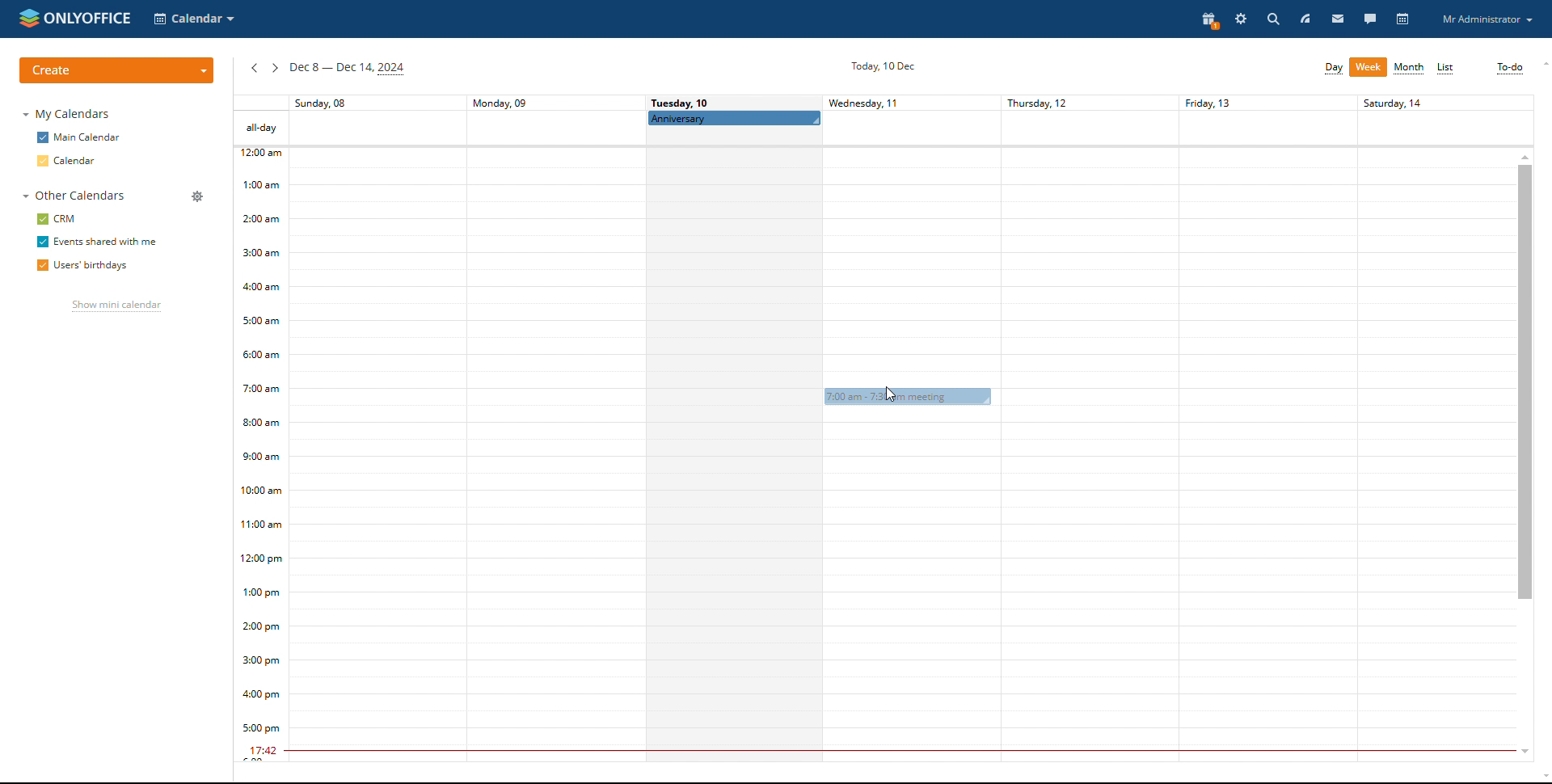 This screenshot has width=1552, height=784. Describe the element at coordinates (1404, 20) in the screenshot. I see `calendar` at that location.